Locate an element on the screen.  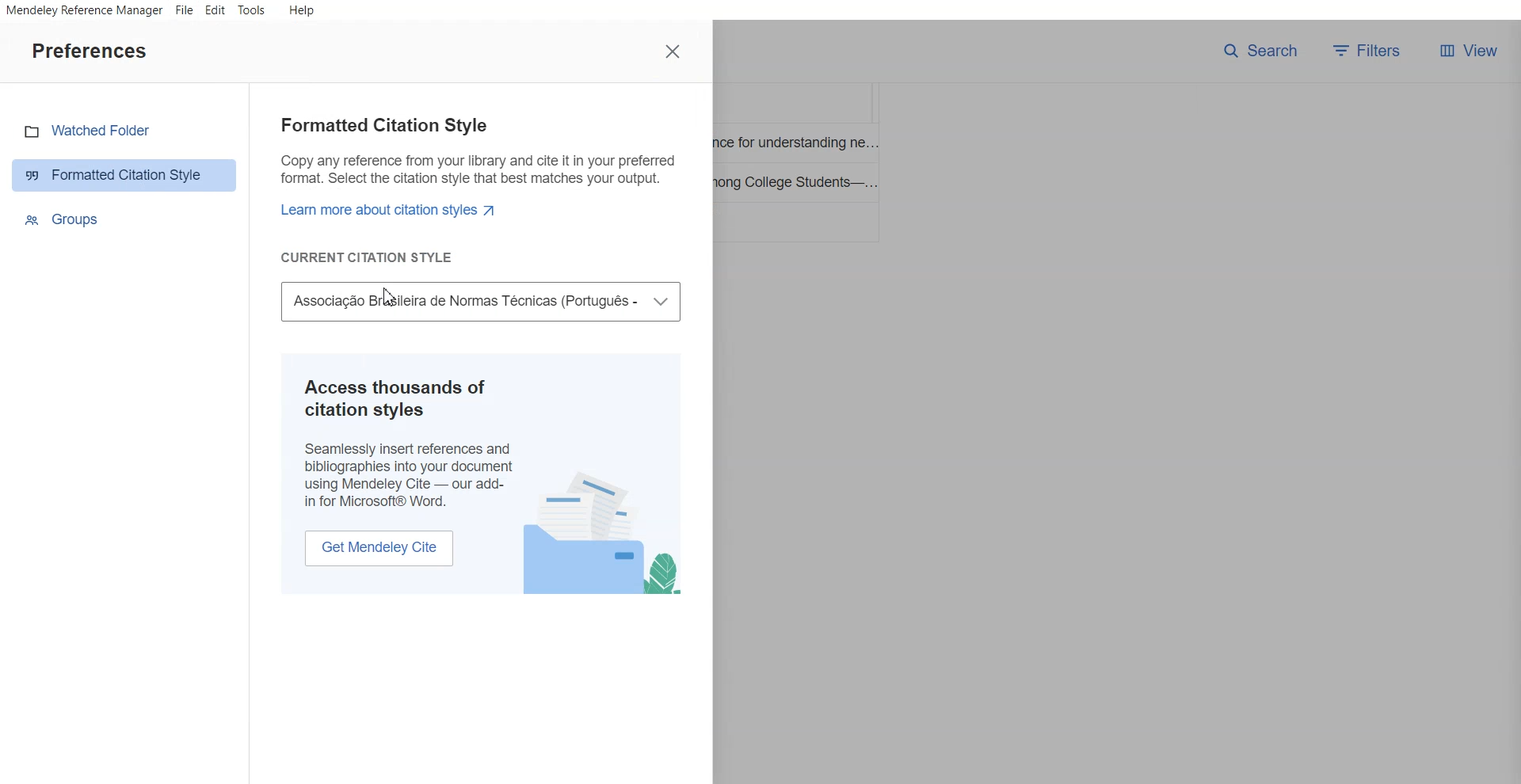
Watched Folder is located at coordinates (124, 131).